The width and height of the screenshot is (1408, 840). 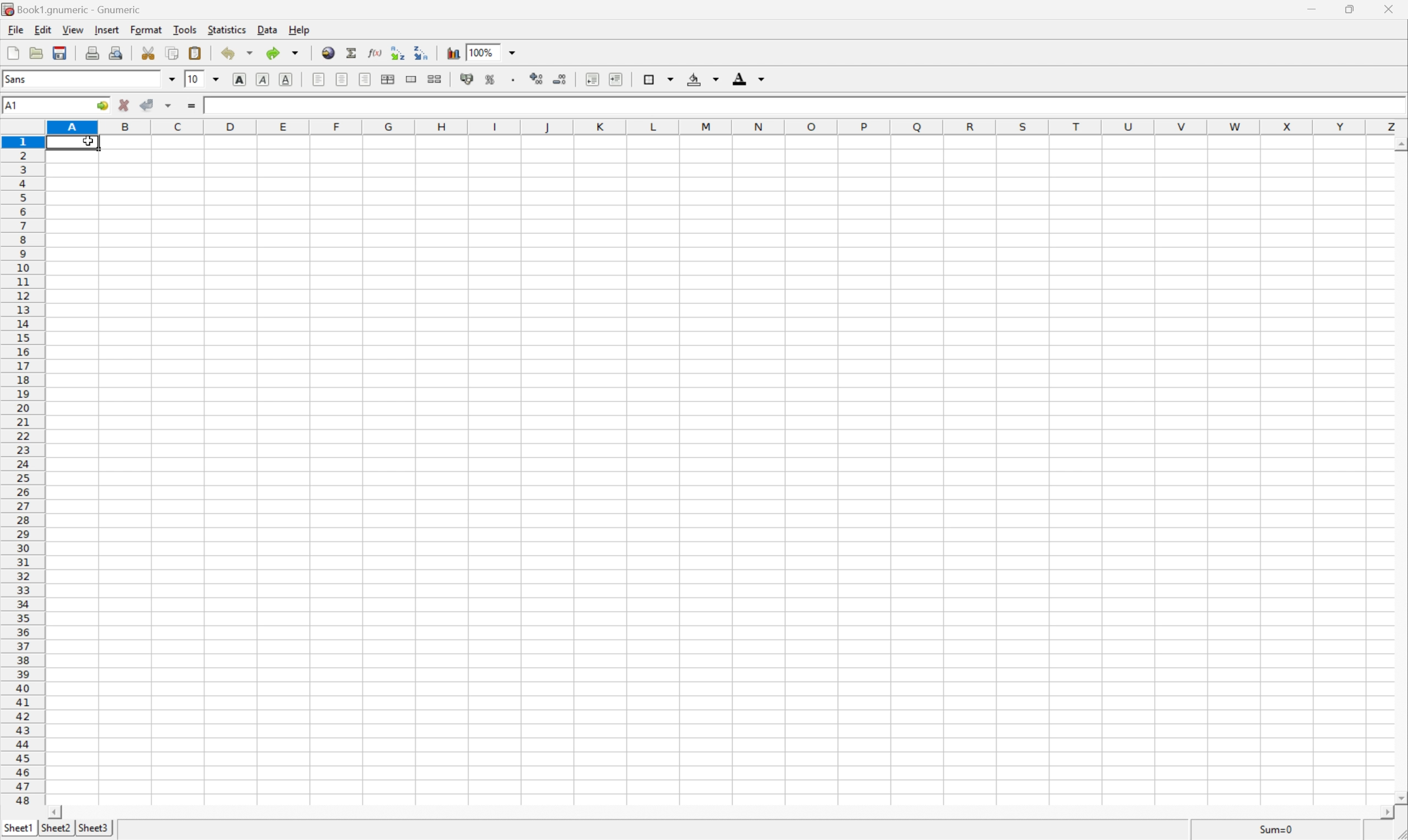 What do you see at coordinates (1281, 830) in the screenshot?
I see `sum=0` at bounding box center [1281, 830].